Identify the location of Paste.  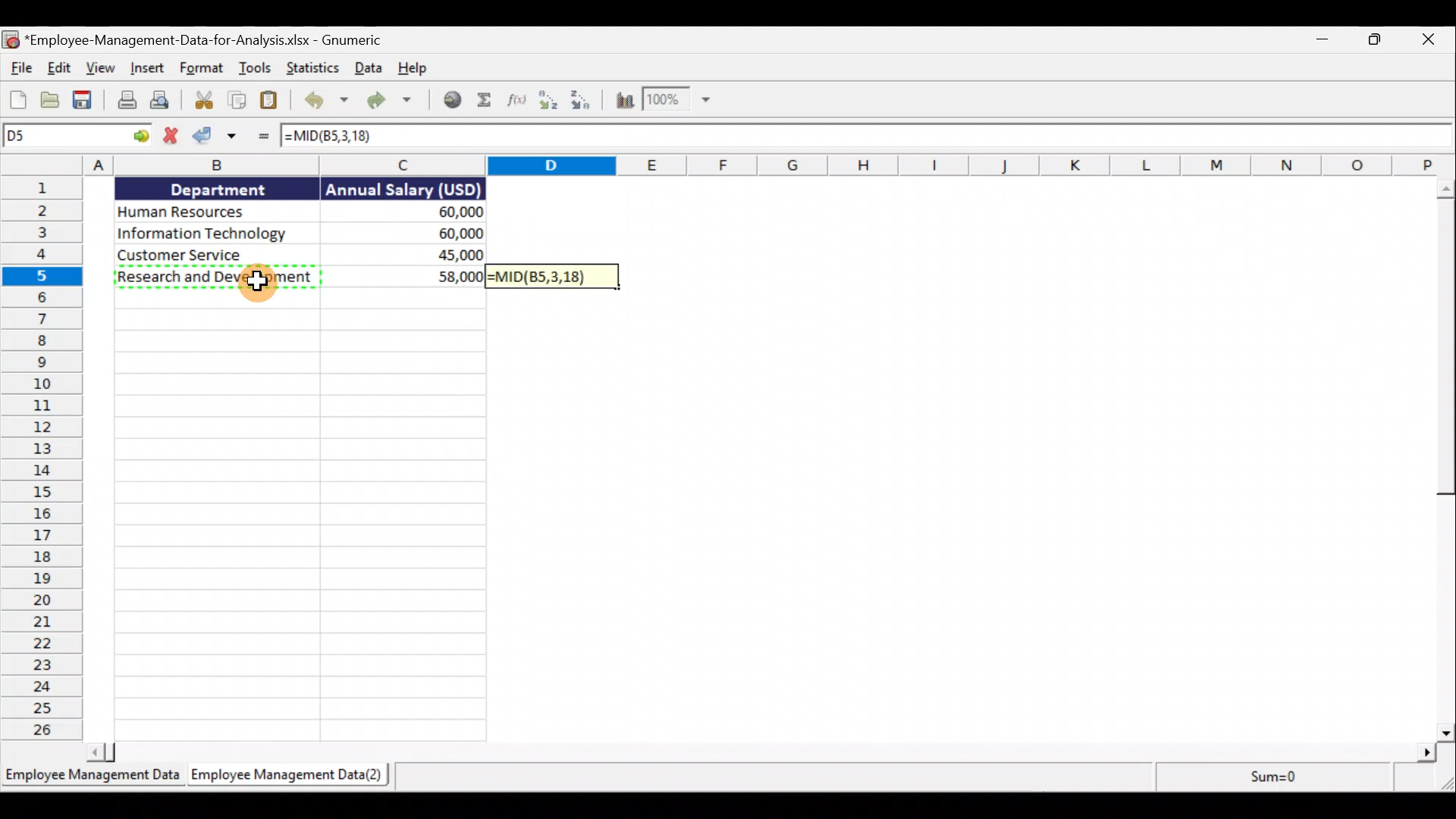
(270, 99).